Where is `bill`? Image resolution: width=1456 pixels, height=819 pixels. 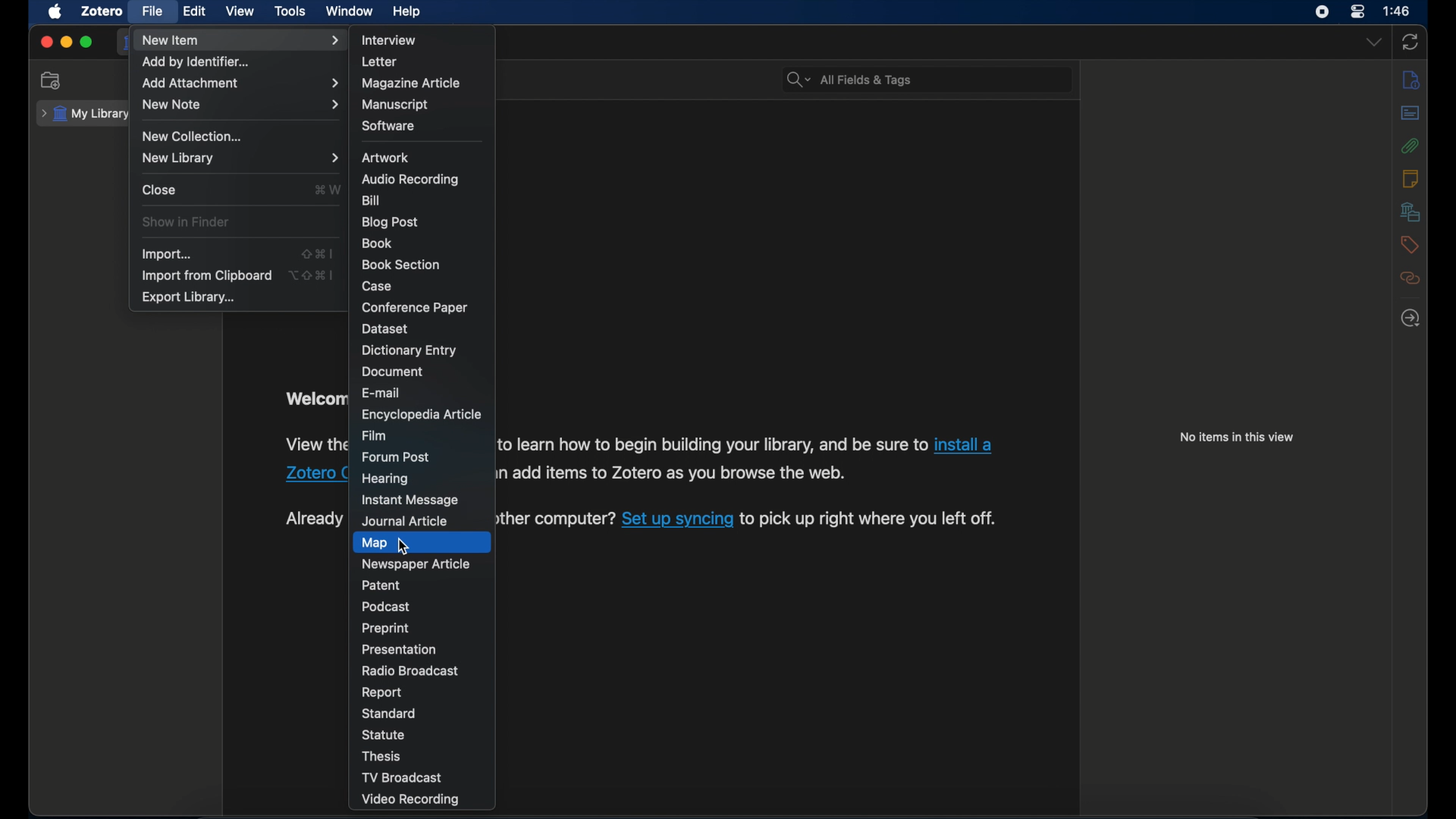
bill is located at coordinates (372, 200).